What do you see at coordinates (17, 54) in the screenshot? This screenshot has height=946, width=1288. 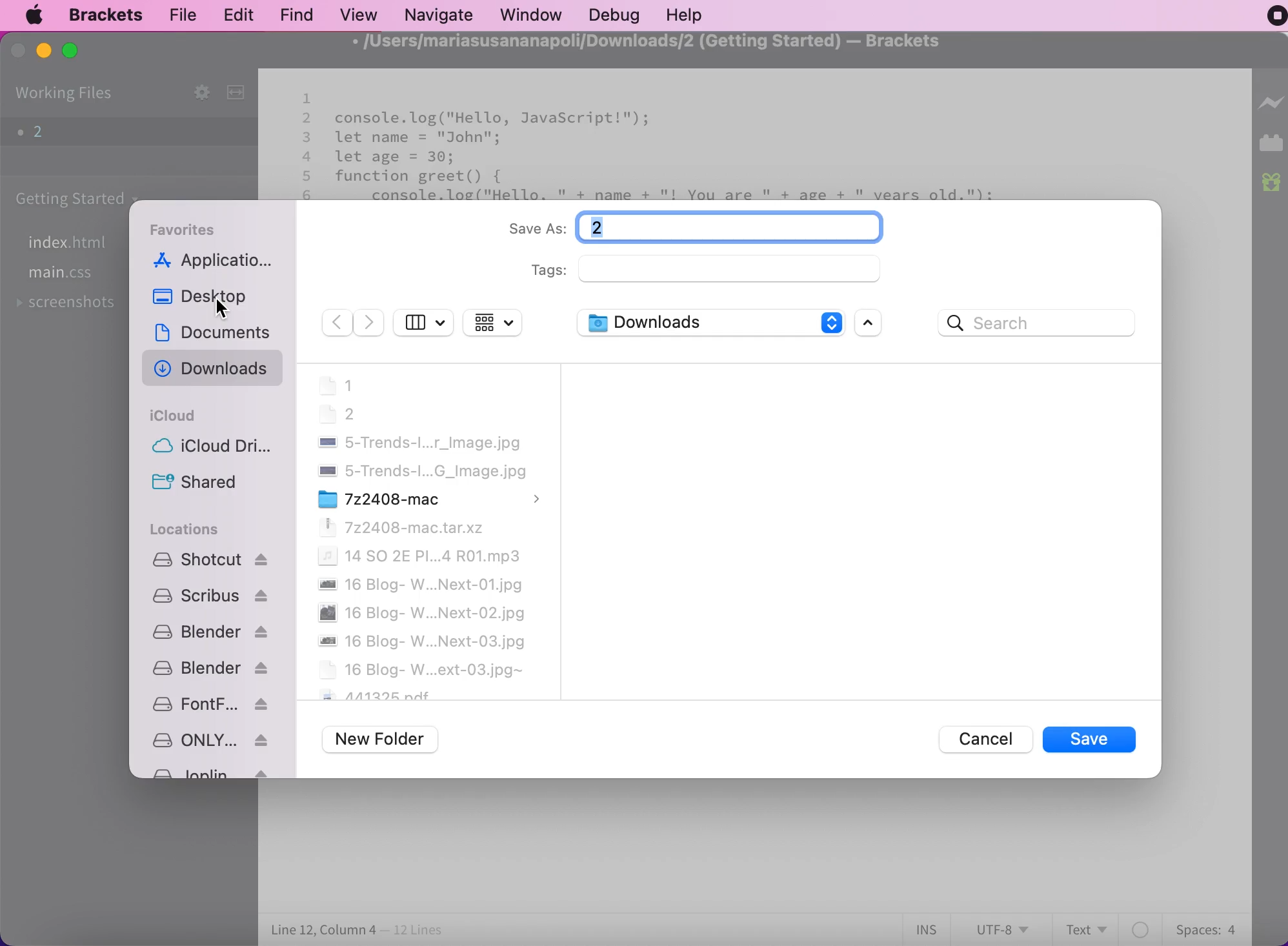 I see `close` at bounding box center [17, 54].